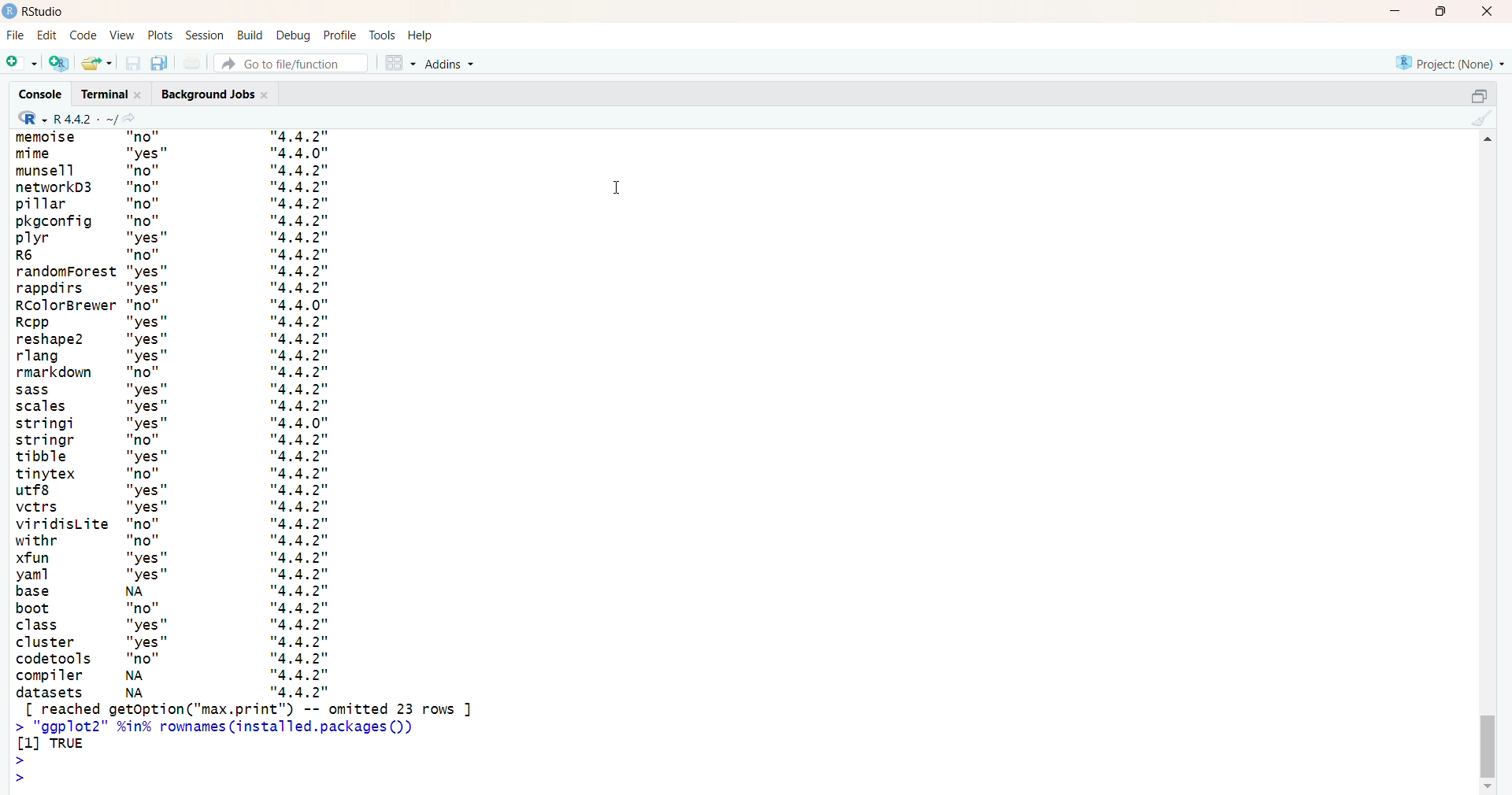 This screenshot has height=795, width=1512. I want to click on console, so click(39, 96).